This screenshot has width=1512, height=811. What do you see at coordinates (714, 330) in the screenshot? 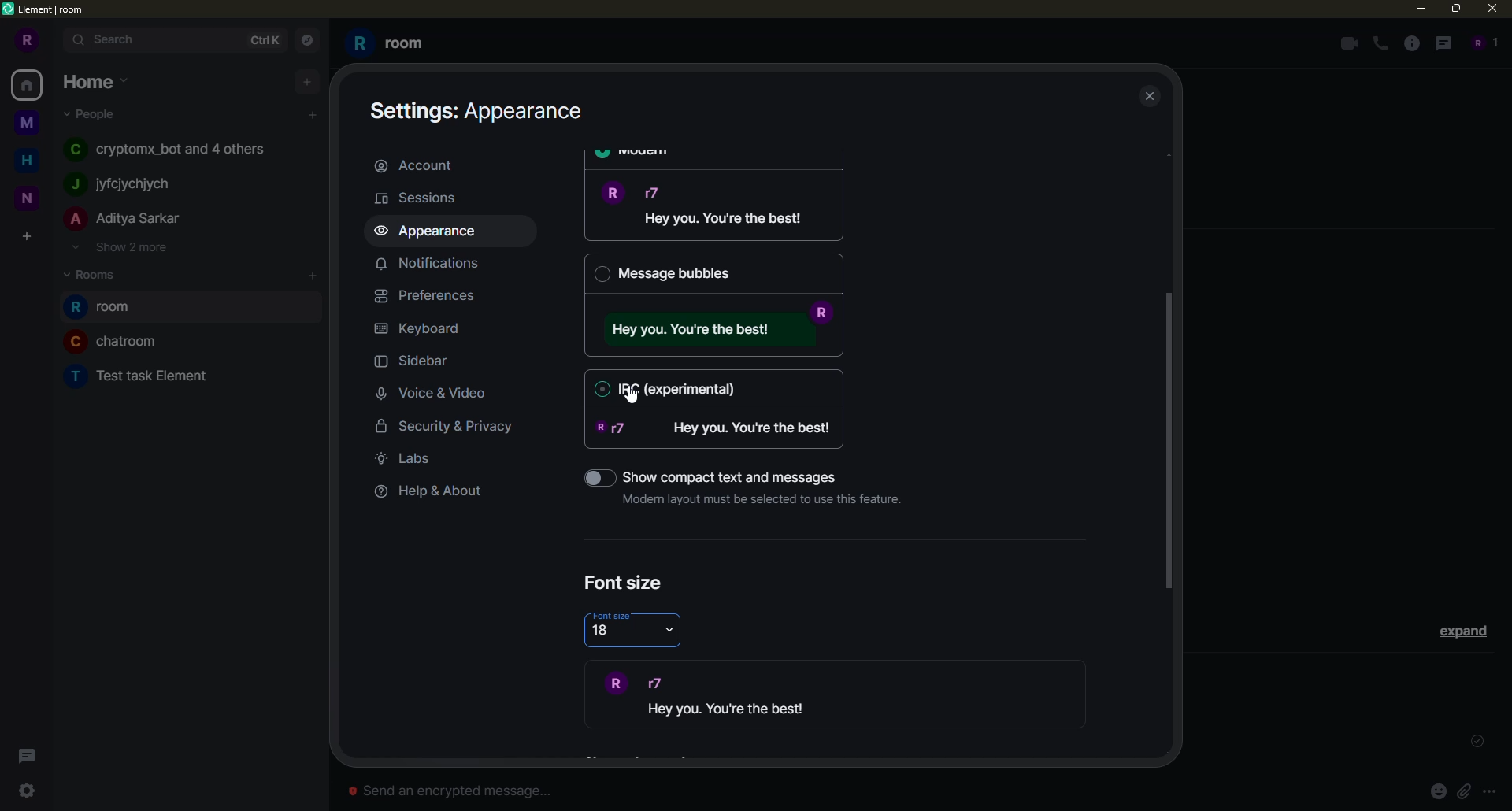
I see `message` at bounding box center [714, 330].